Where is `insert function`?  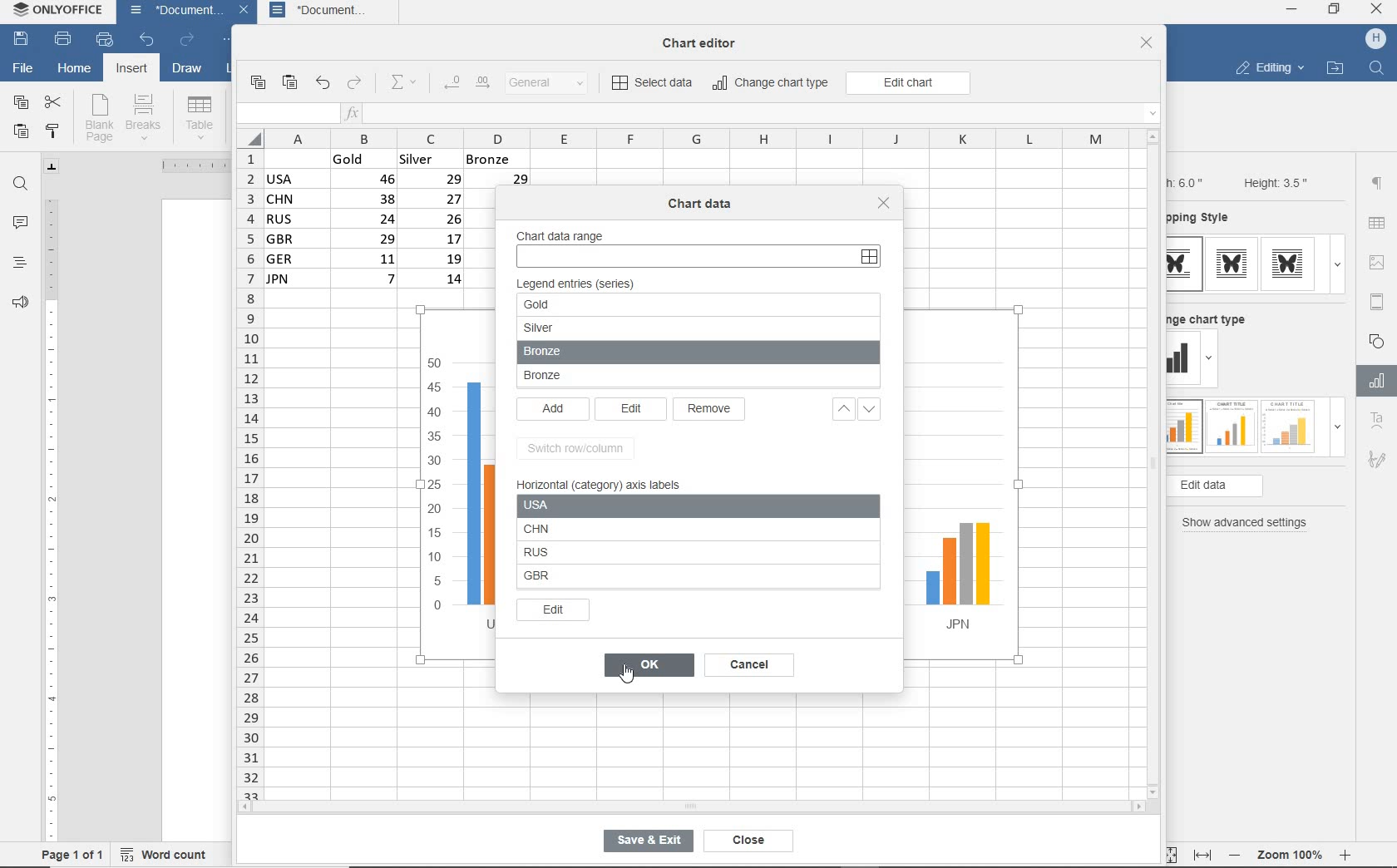
insert function is located at coordinates (753, 114).